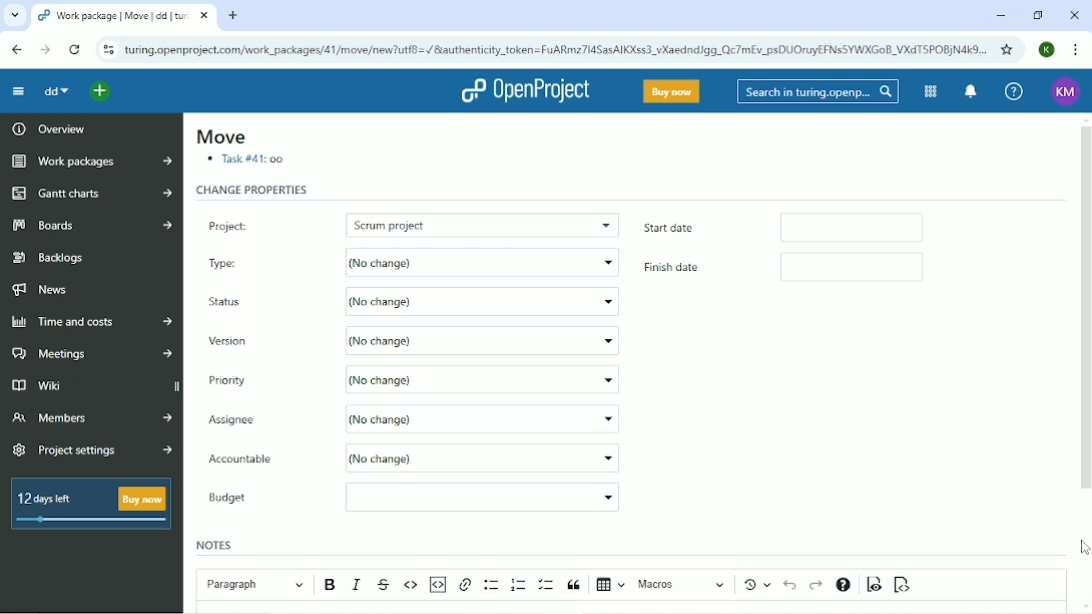 Image resolution: width=1092 pixels, height=614 pixels. What do you see at coordinates (385, 585) in the screenshot?
I see `Strikethrough` at bounding box center [385, 585].